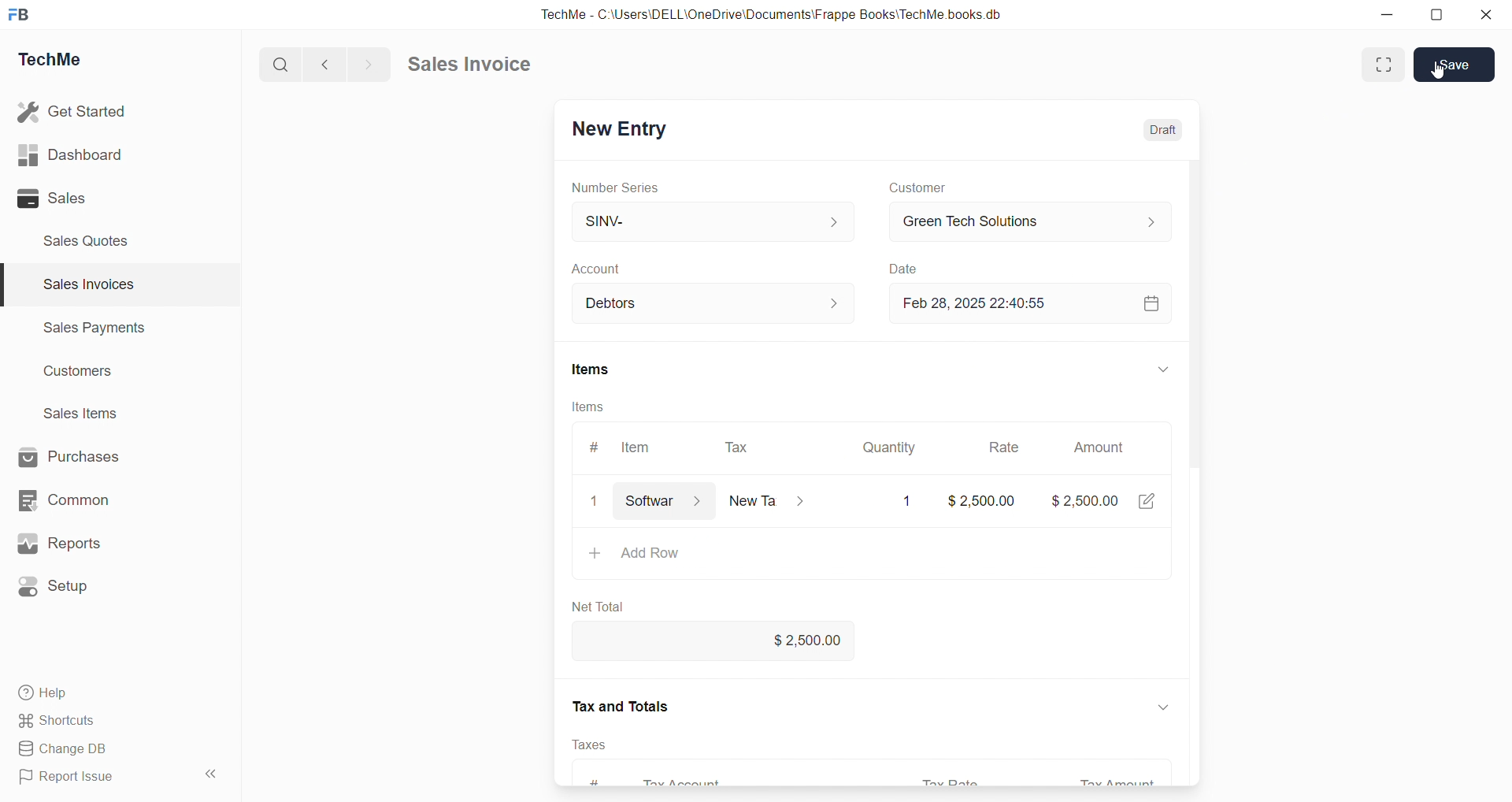 The image size is (1512, 802). I want to click on Reports, so click(59, 543).